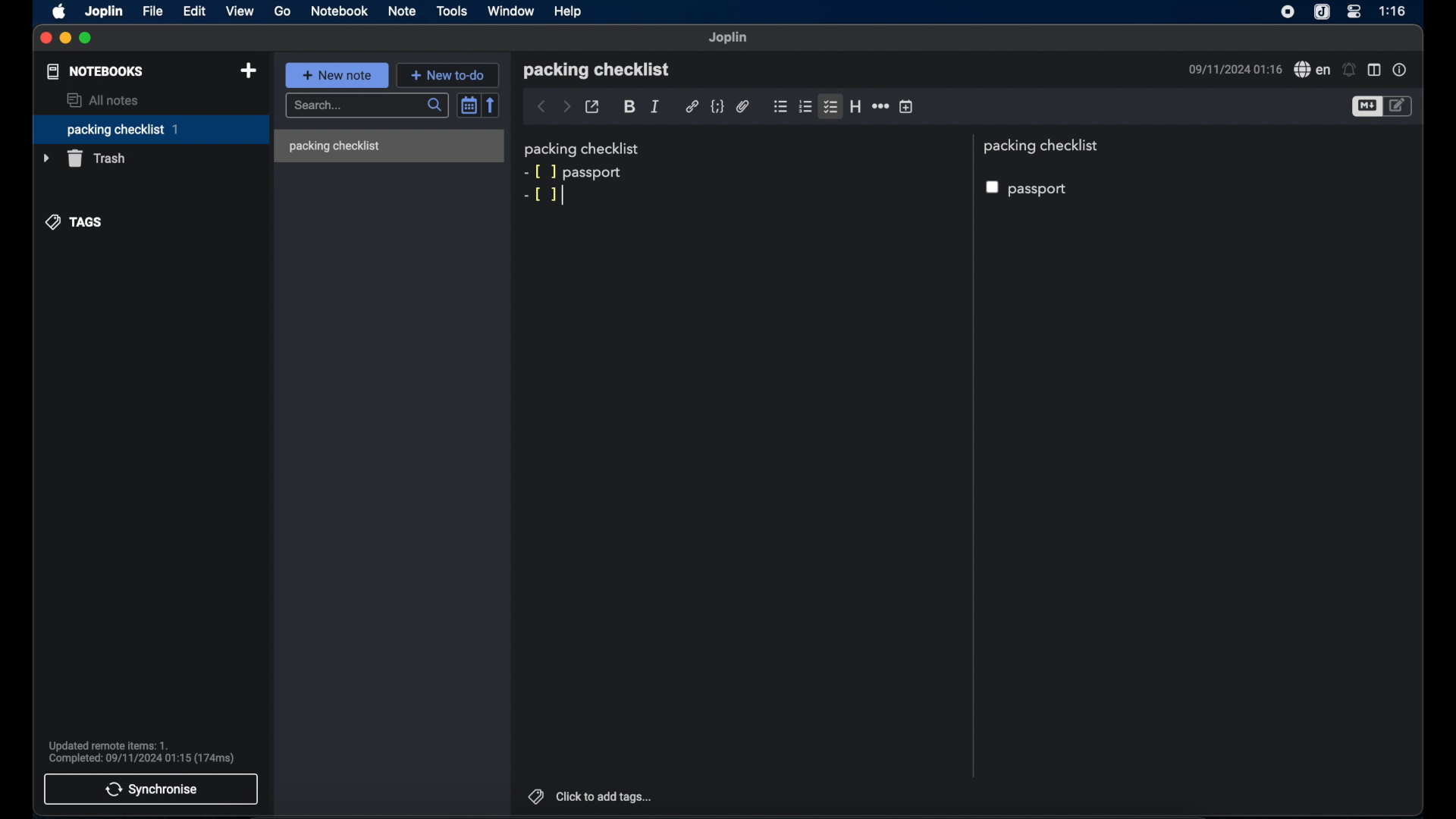 This screenshot has width=1456, height=819. I want to click on code, so click(717, 106).